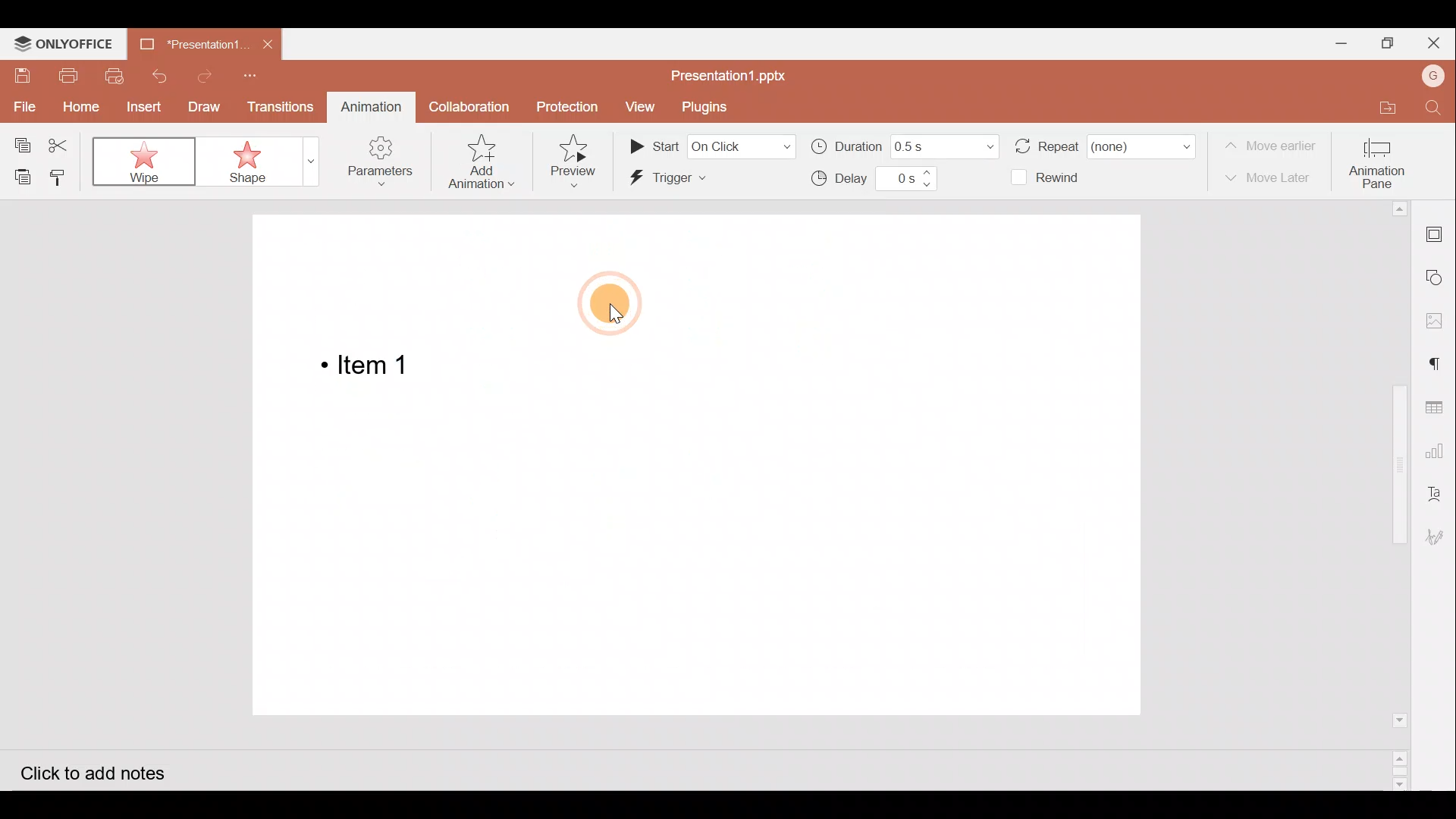  I want to click on Animation, so click(369, 104).